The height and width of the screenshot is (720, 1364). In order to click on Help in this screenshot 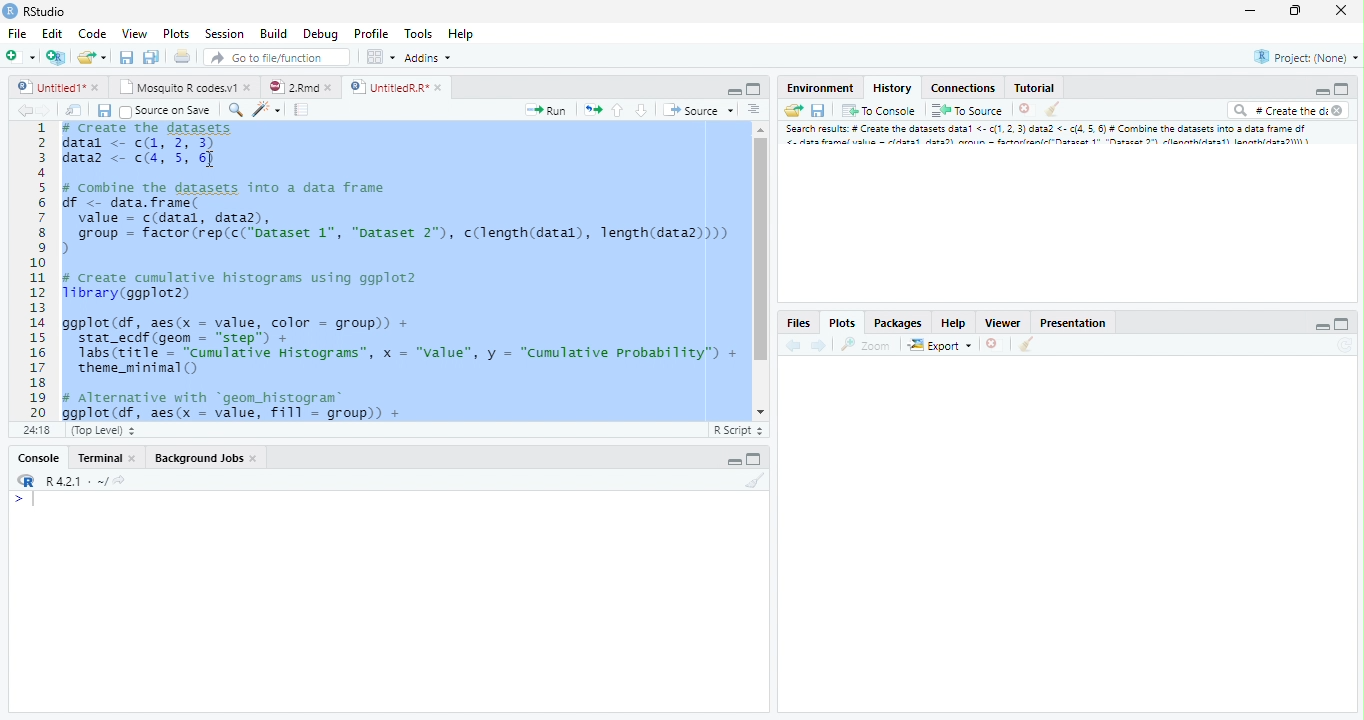, I will do `click(460, 34)`.